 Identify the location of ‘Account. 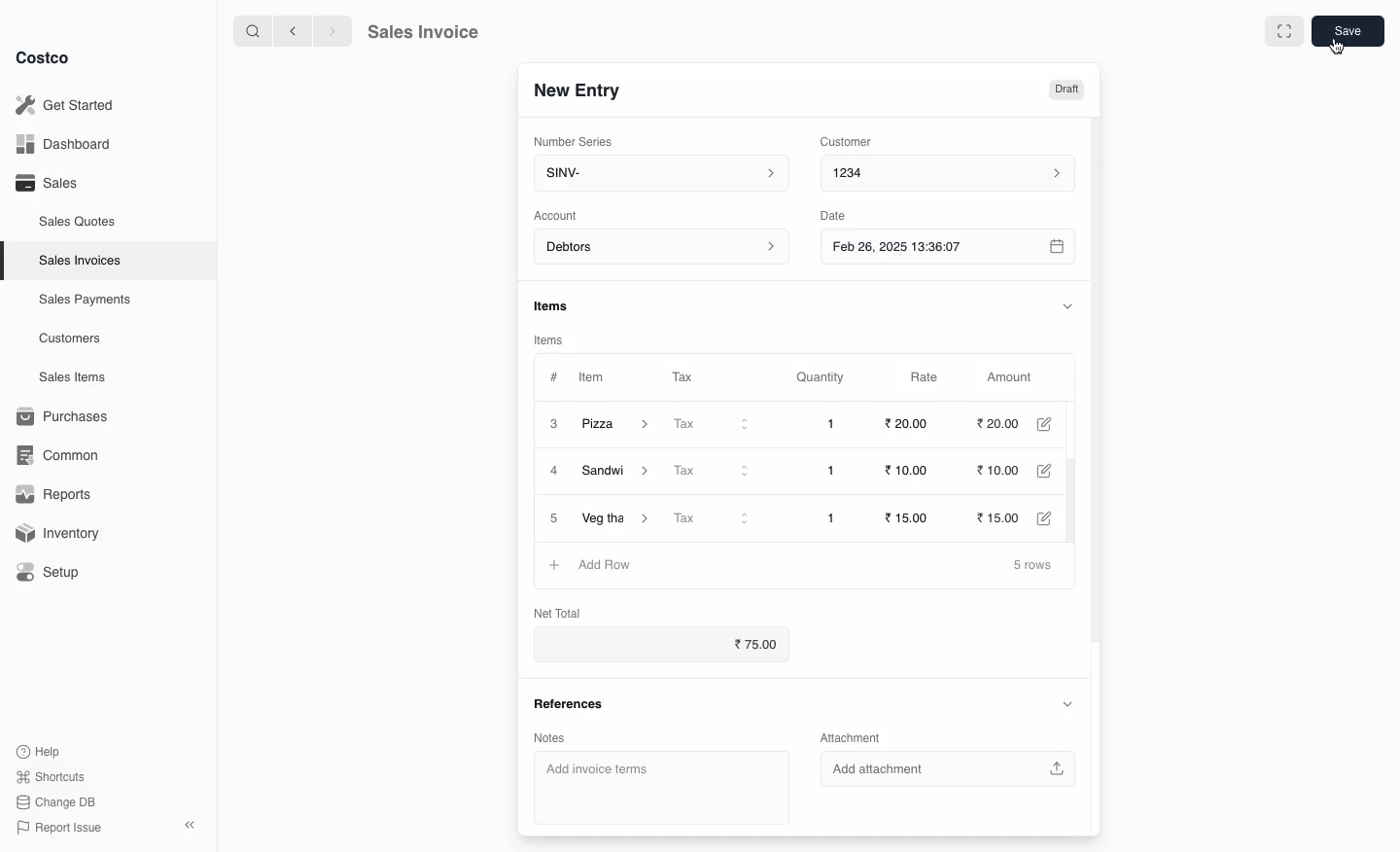
(560, 215).